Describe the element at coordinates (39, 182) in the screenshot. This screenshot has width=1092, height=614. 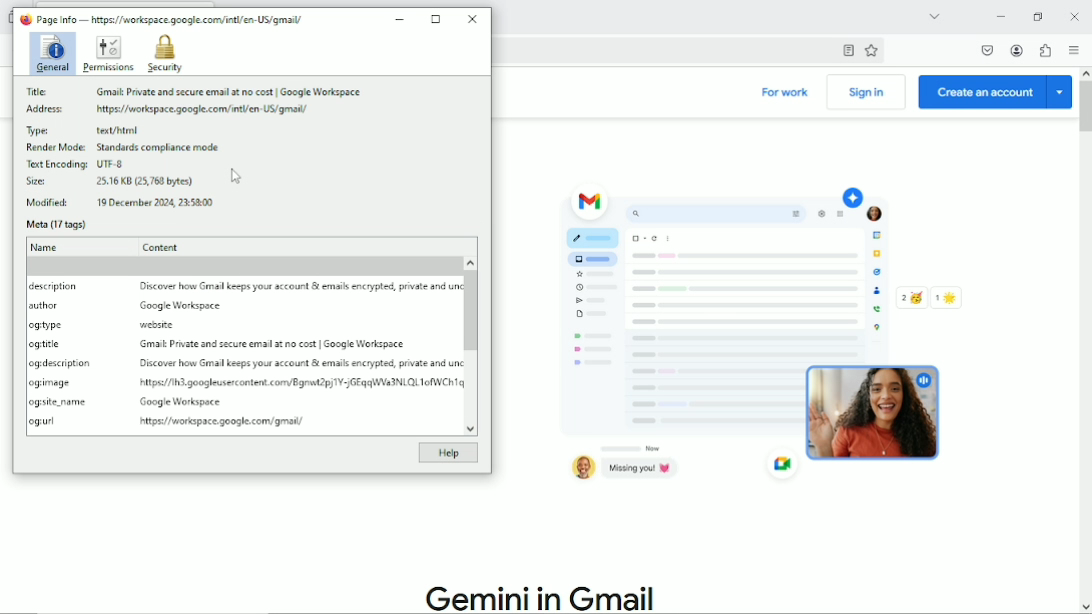
I see `Size` at that location.